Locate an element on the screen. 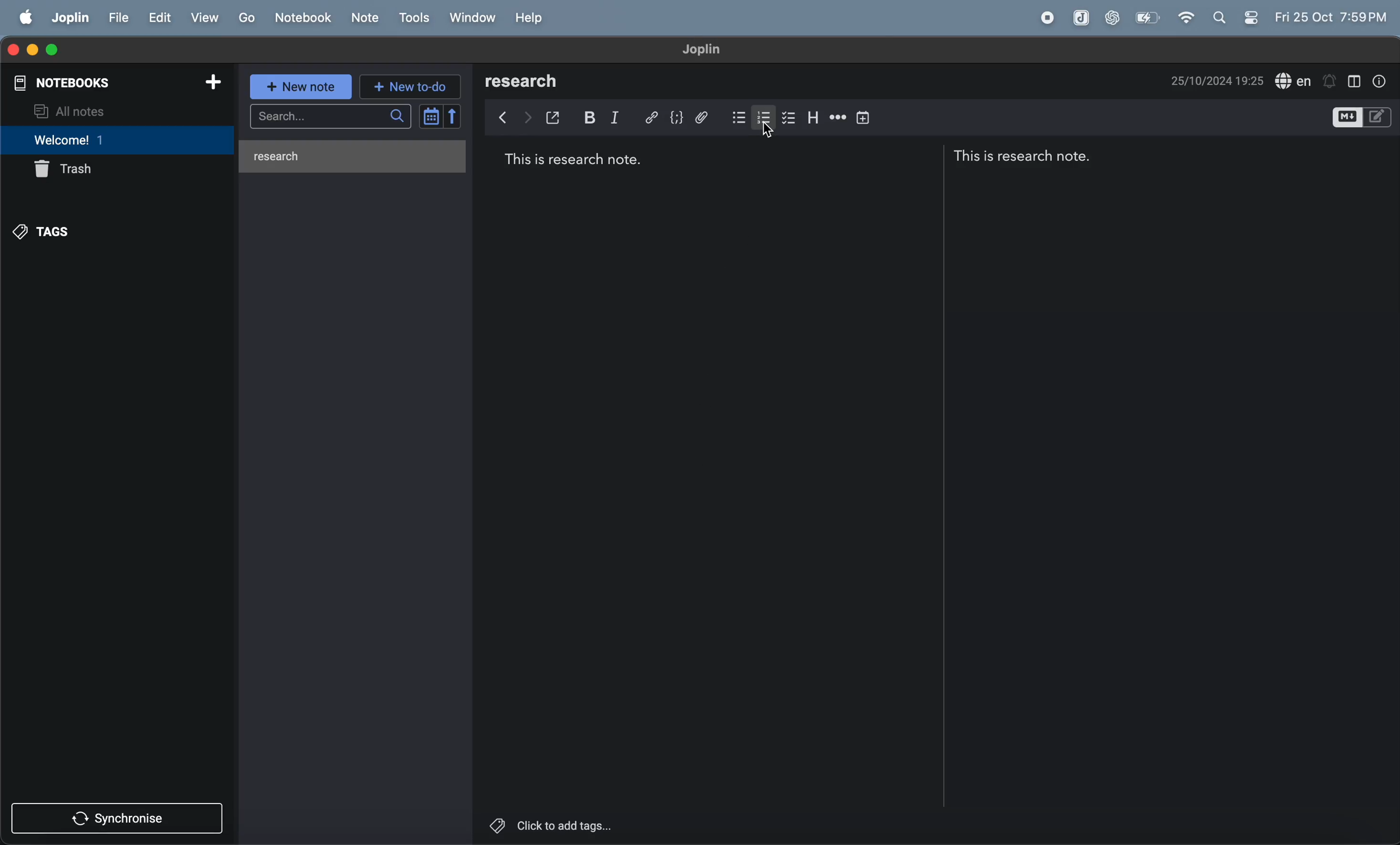  note is located at coordinates (365, 16).